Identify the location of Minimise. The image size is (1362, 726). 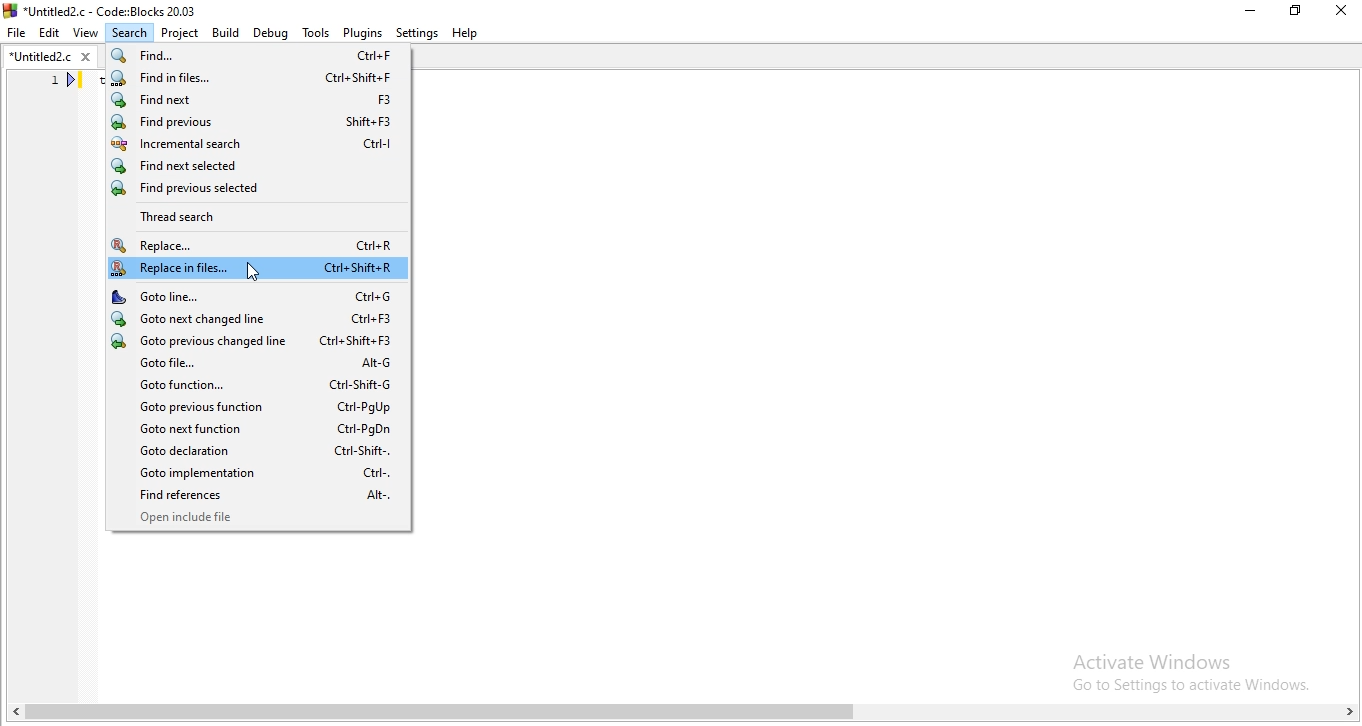
(1250, 14).